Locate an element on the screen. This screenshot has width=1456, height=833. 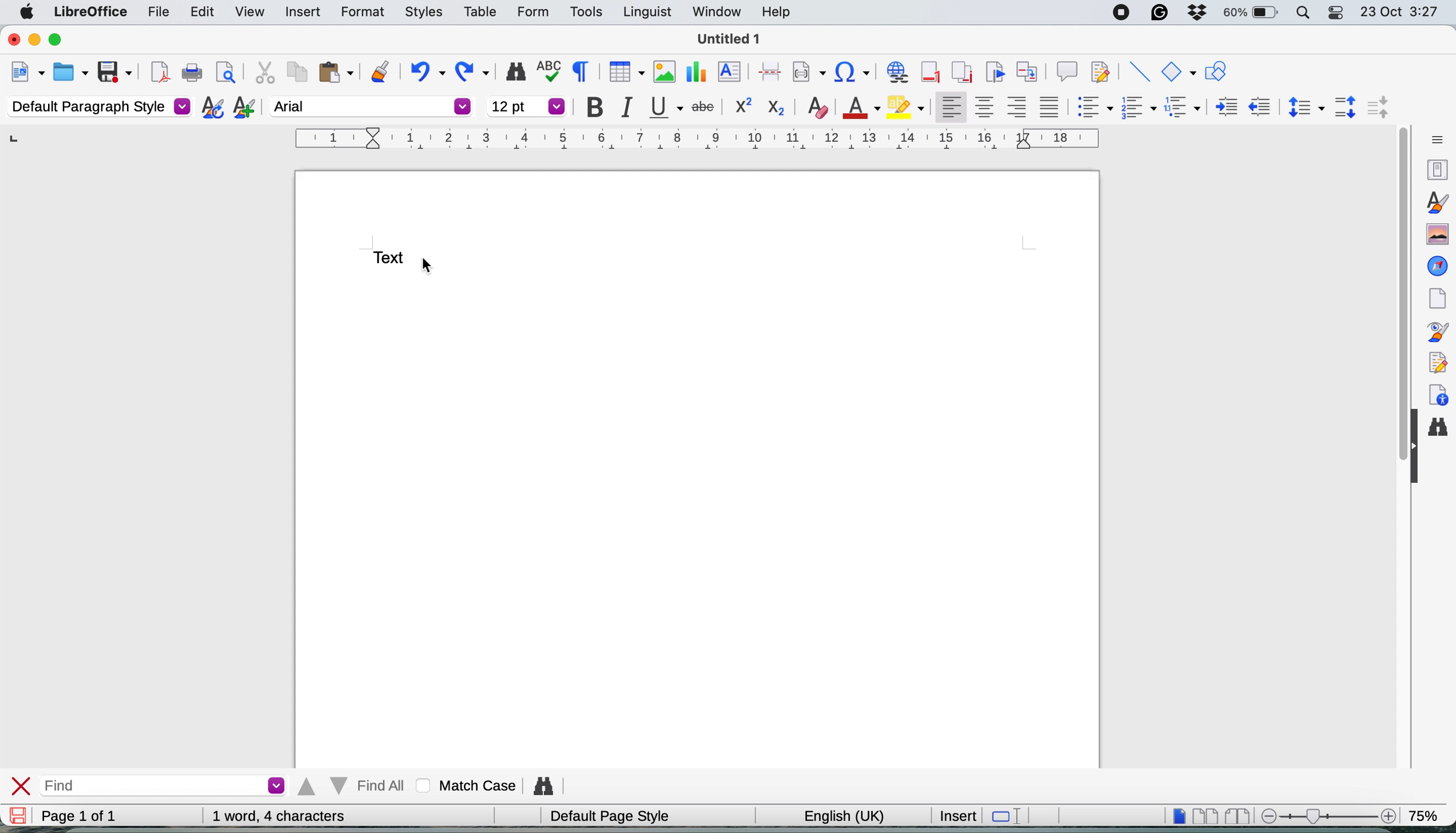
english uk is located at coordinates (837, 815).